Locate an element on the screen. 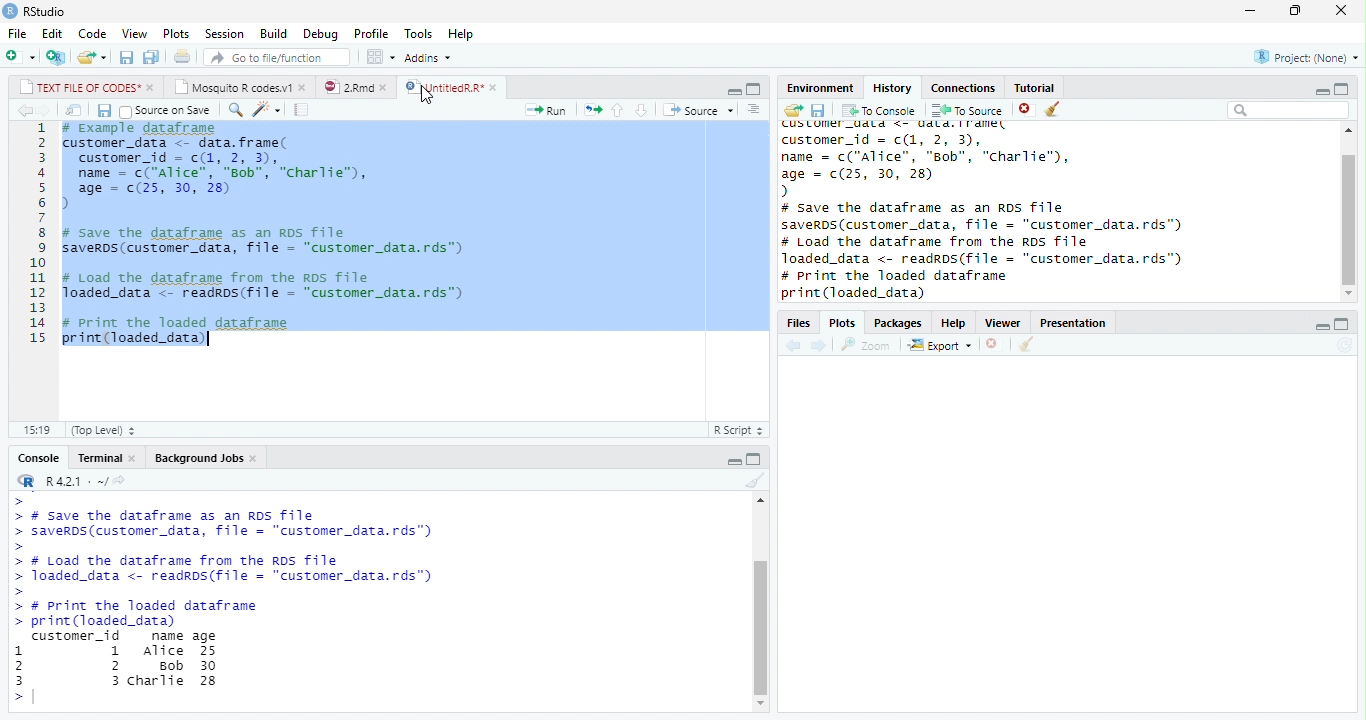 This screenshot has height=720, width=1366. scroll bar is located at coordinates (1347, 221).